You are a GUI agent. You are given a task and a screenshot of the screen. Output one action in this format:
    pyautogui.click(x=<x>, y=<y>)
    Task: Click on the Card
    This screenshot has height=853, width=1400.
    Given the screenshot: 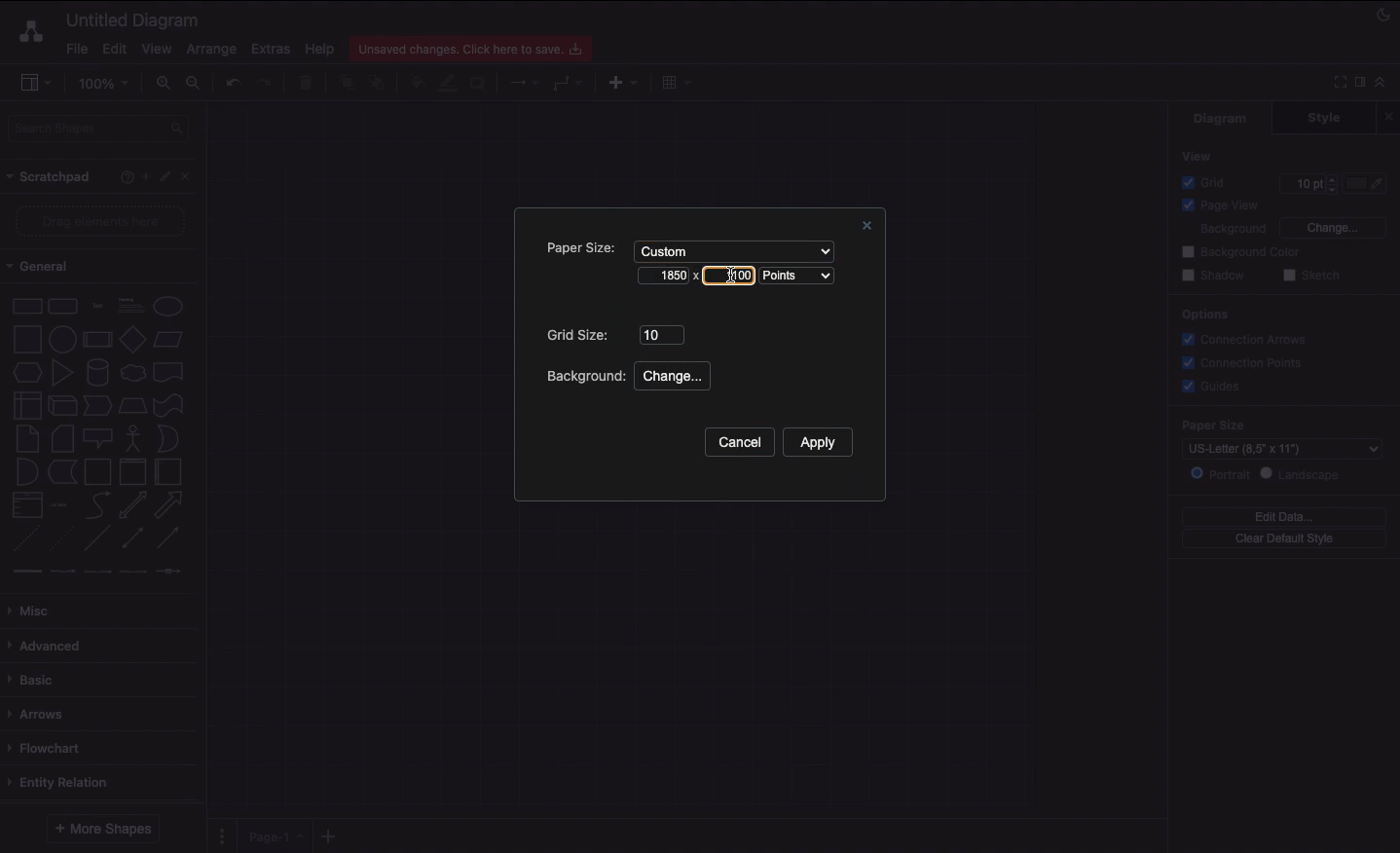 What is the action you would take?
    pyautogui.click(x=62, y=438)
    